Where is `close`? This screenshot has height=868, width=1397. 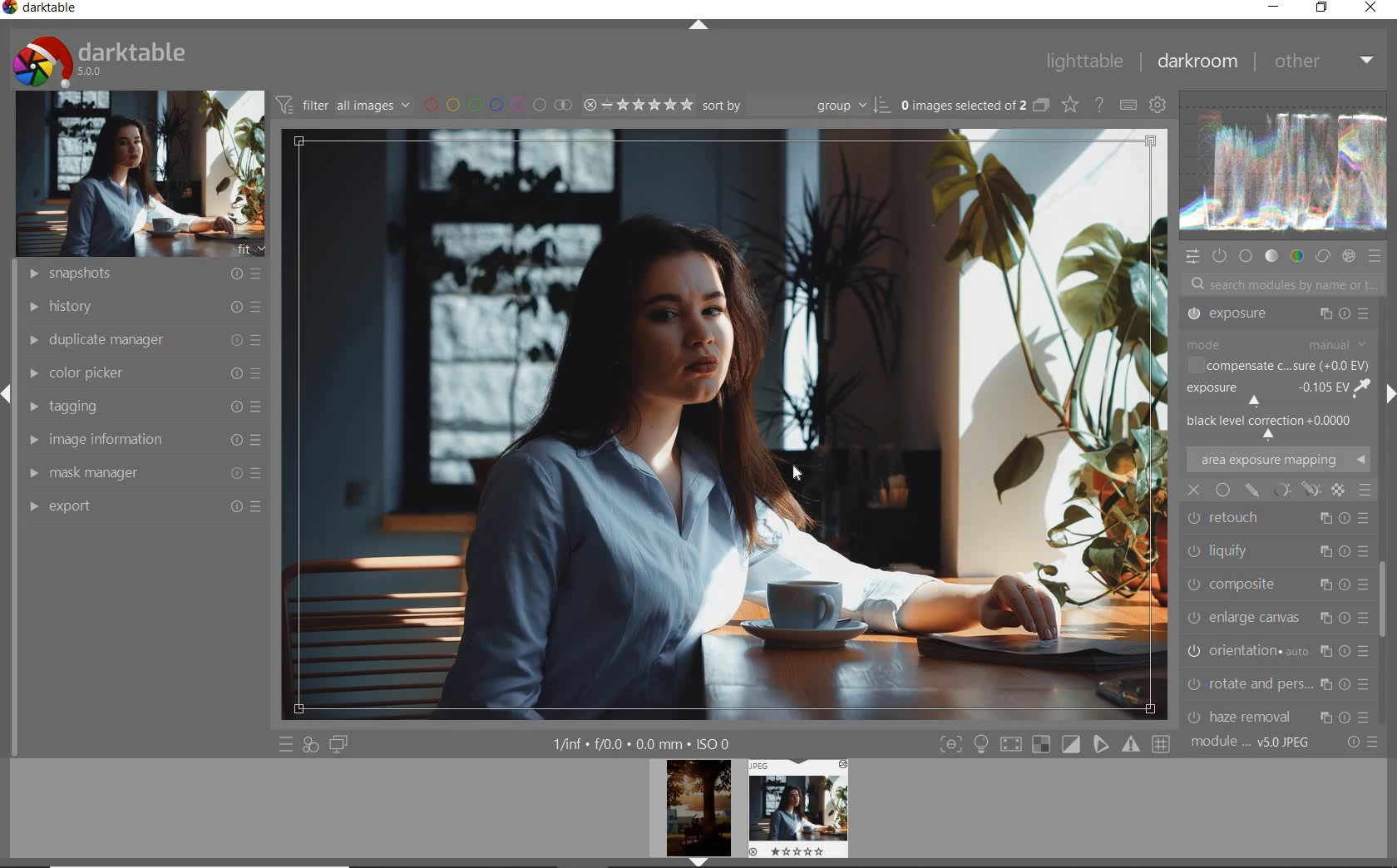
close is located at coordinates (1195, 490).